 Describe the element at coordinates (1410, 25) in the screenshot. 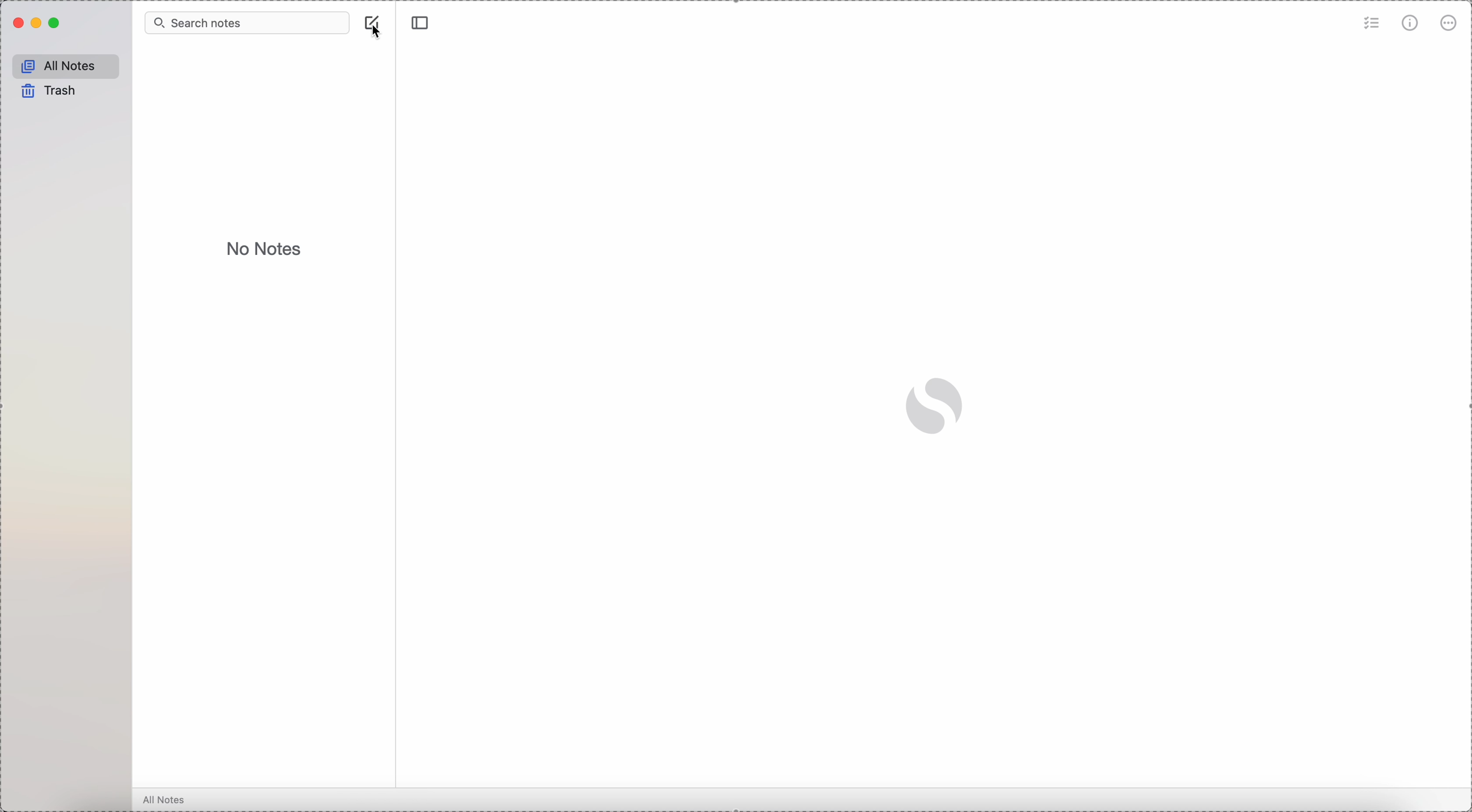

I see `metrics` at that location.